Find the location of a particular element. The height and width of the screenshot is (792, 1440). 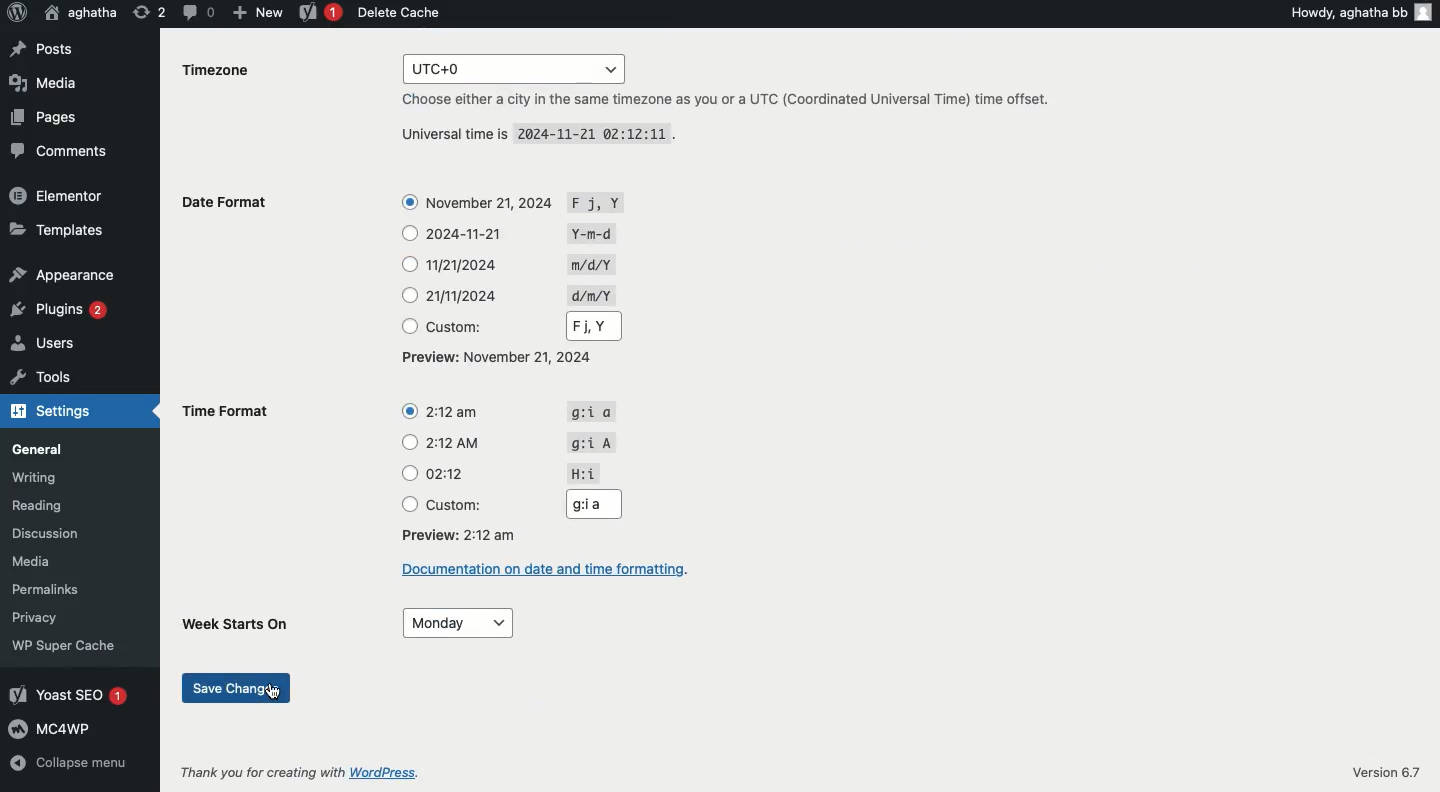

General is located at coordinates (46, 449).